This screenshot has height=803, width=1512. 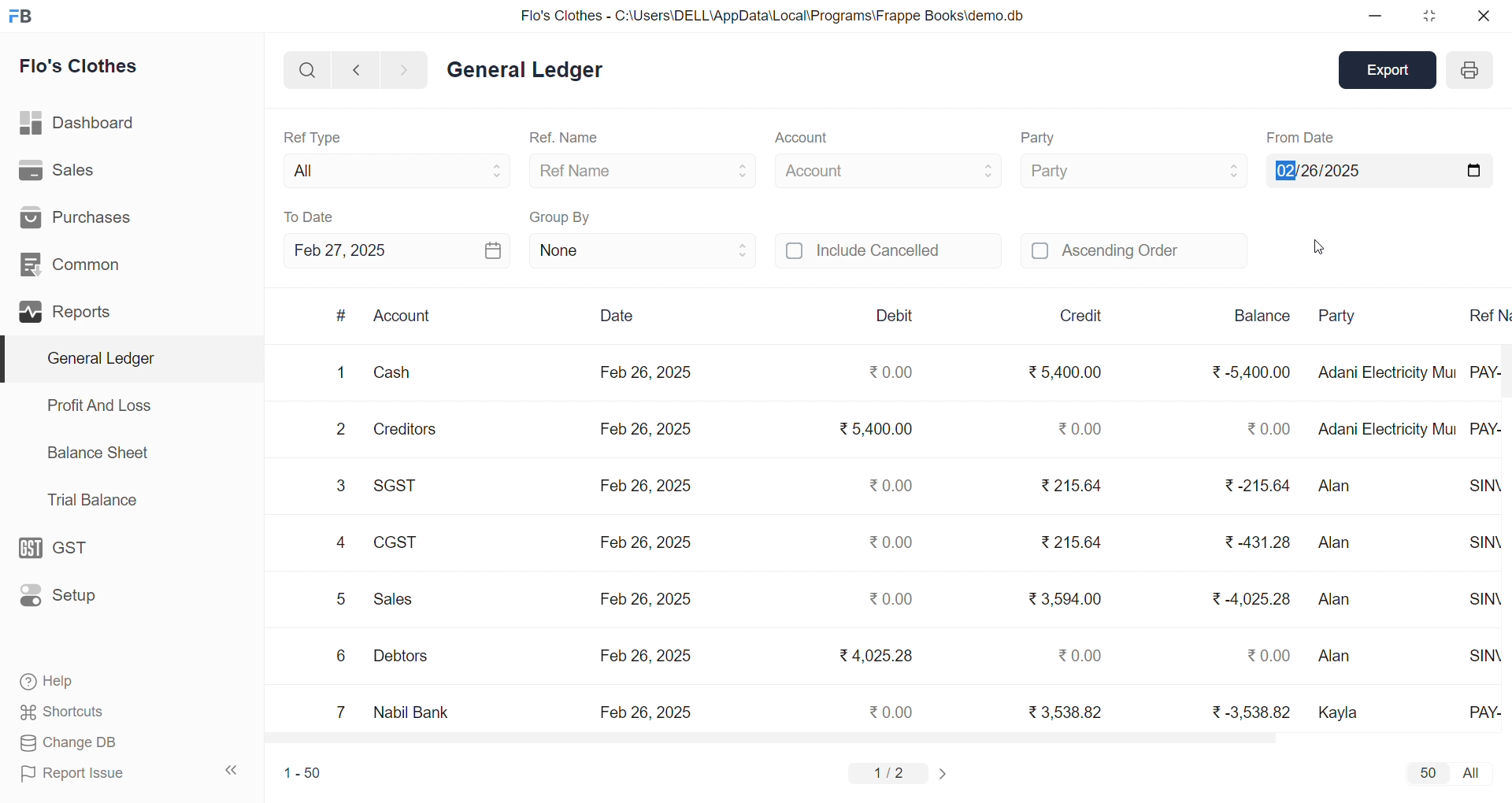 I want to click on HORIZONTAL SCROLL BAR, so click(x=871, y=738).